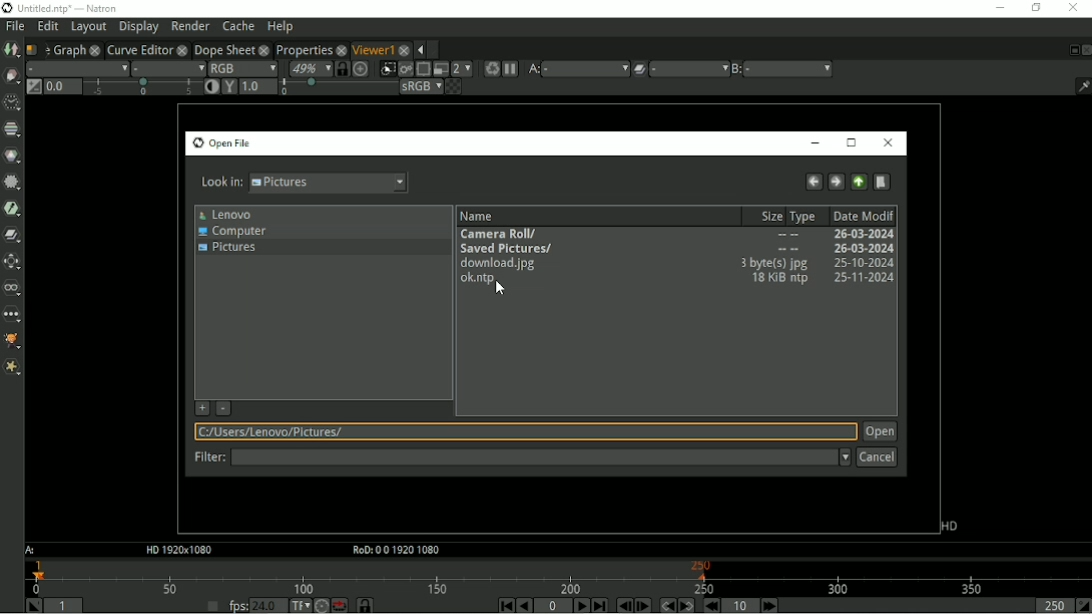 The height and width of the screenshot is (614, 1092). I want to click on Parent directory, so click(860, 182).